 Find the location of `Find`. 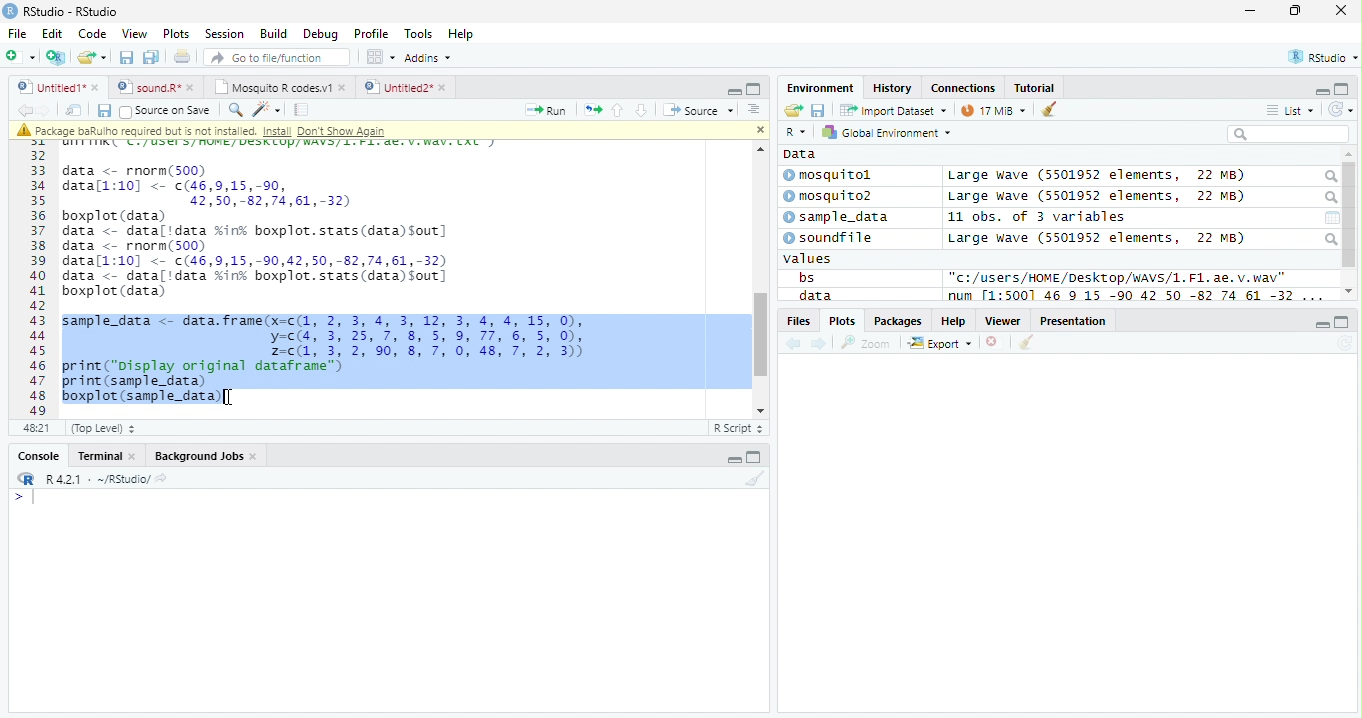

Find is located at coordinates (235, 110).